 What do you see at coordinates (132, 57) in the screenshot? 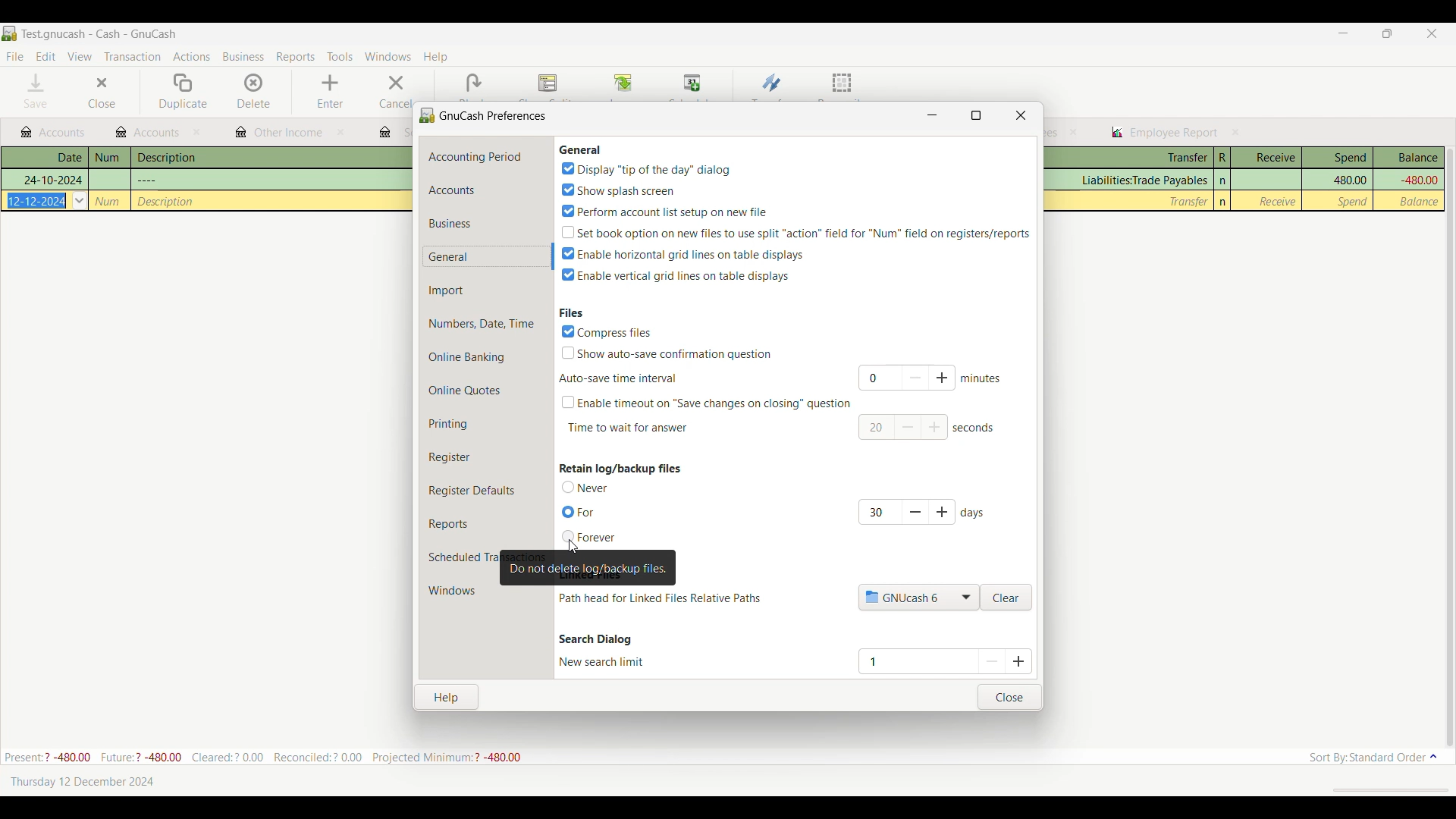
I see `Transaction menu` at bounding box center [132, 57].